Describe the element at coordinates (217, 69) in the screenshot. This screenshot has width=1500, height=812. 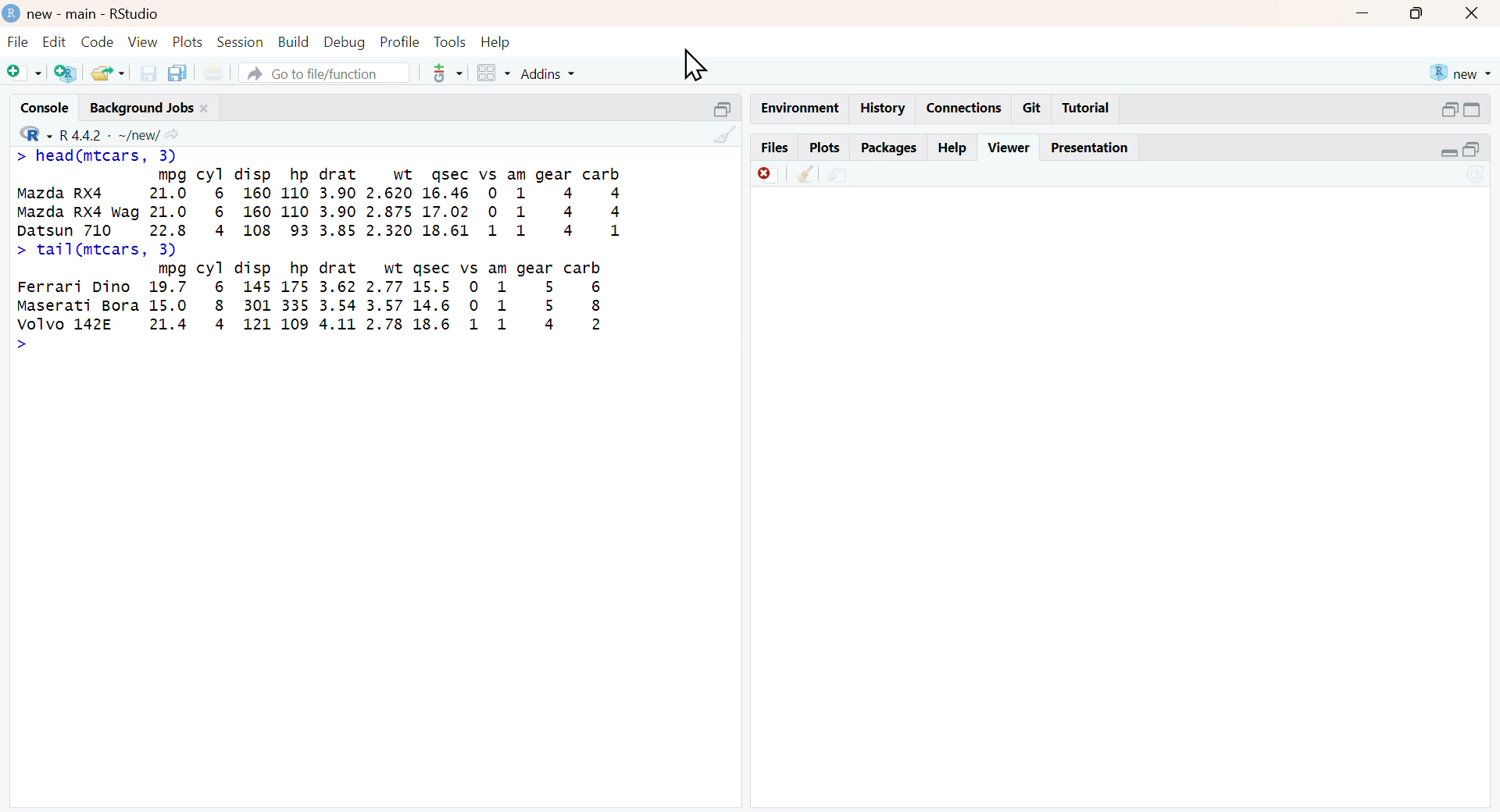
I see `Print documents` at that location.